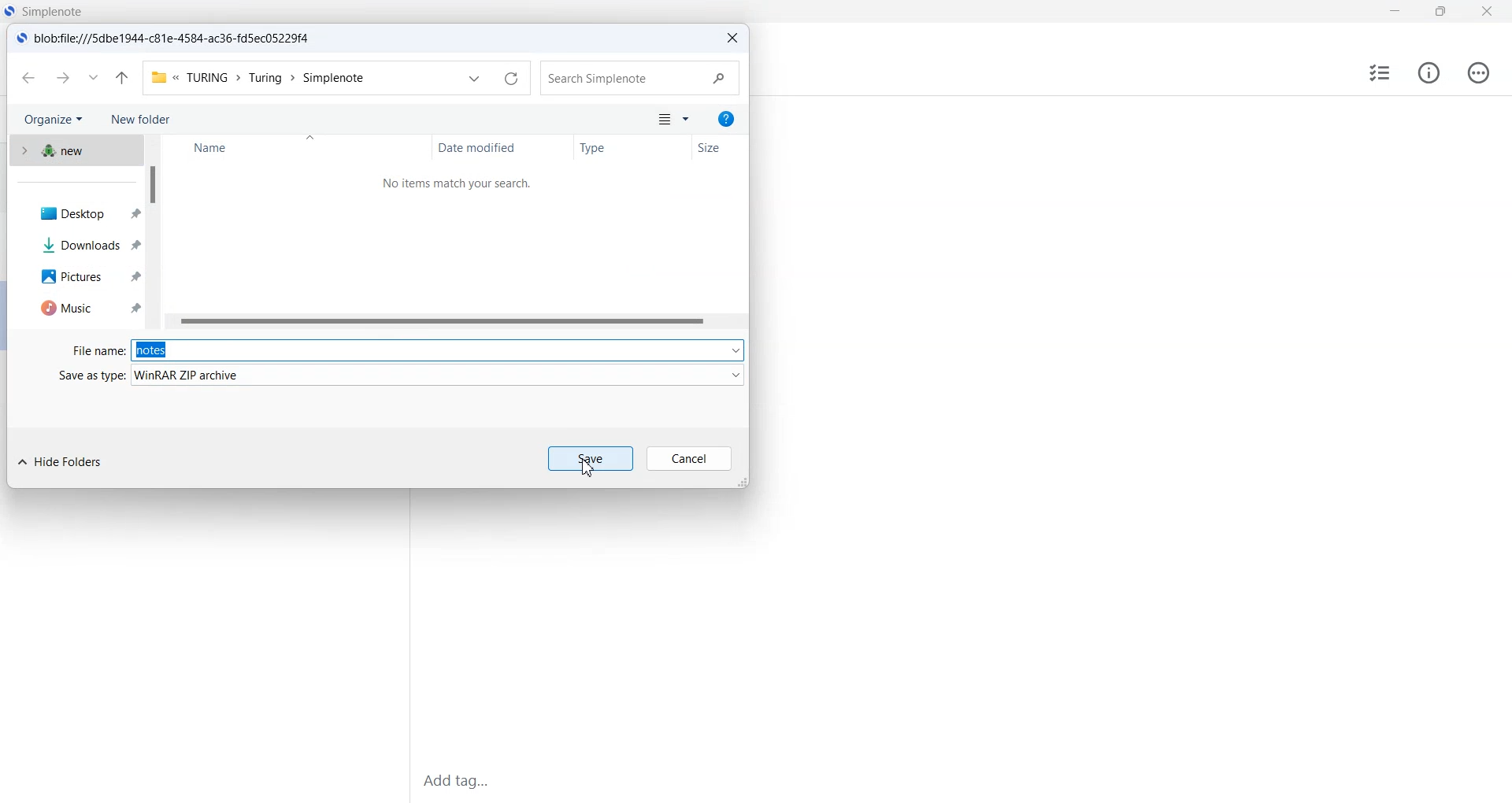 The image size is (1512, 803). Describe the element at coordinates (731, 39) in the screenshot. I see `Close` at that location.